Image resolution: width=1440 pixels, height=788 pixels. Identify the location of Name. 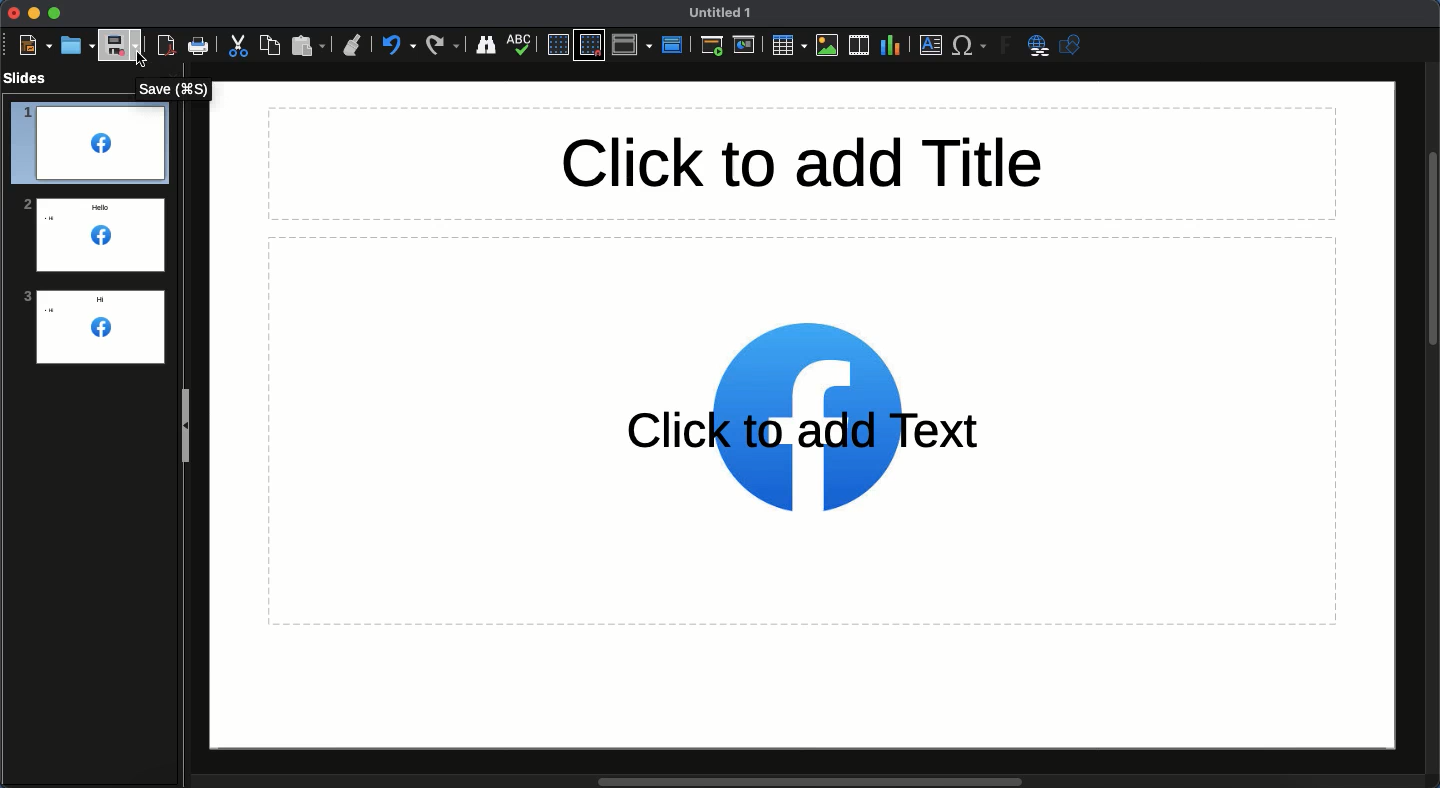
(716, 12).